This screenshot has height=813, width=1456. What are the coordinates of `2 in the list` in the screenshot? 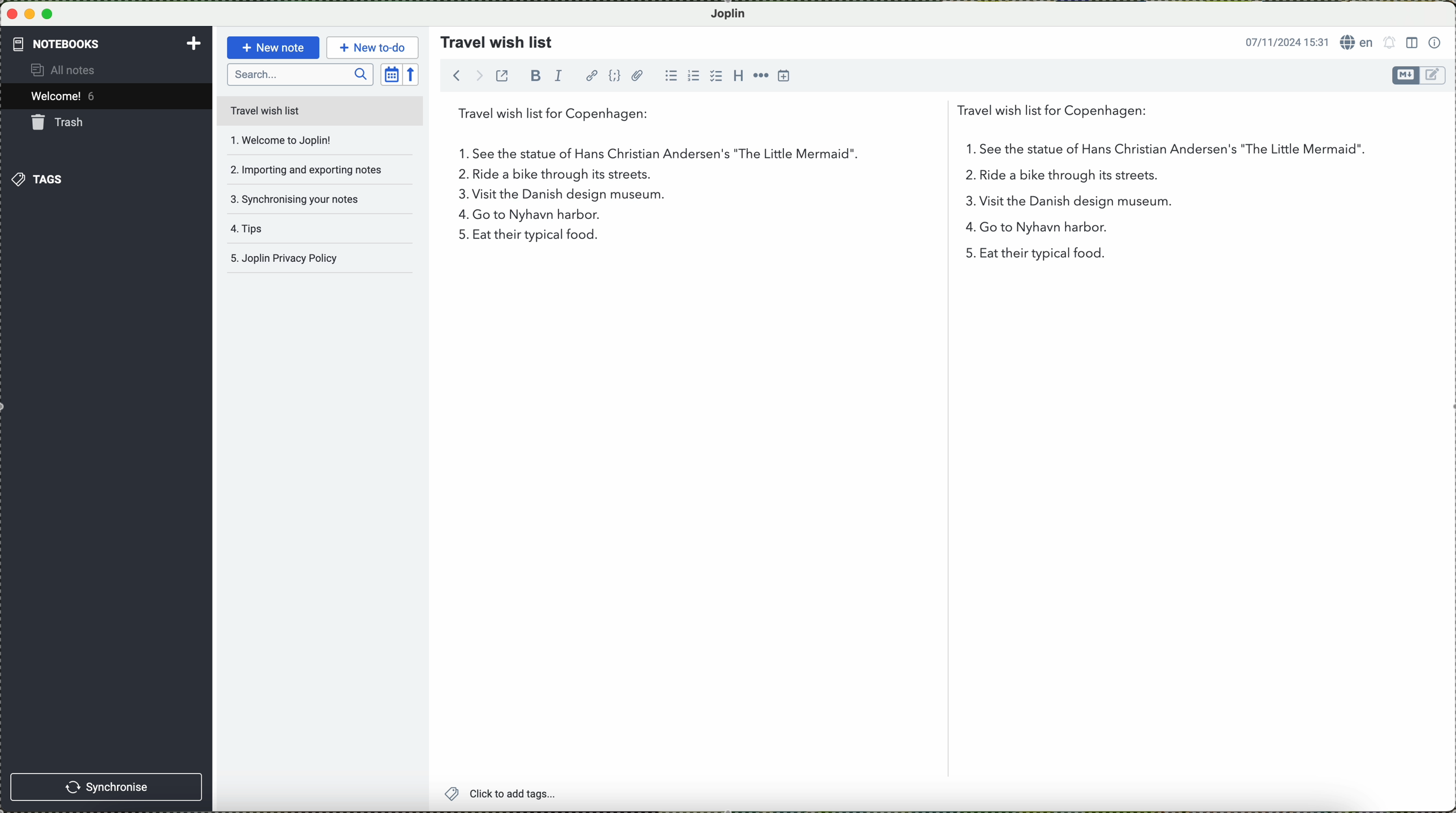 It's located at (1037, 178).